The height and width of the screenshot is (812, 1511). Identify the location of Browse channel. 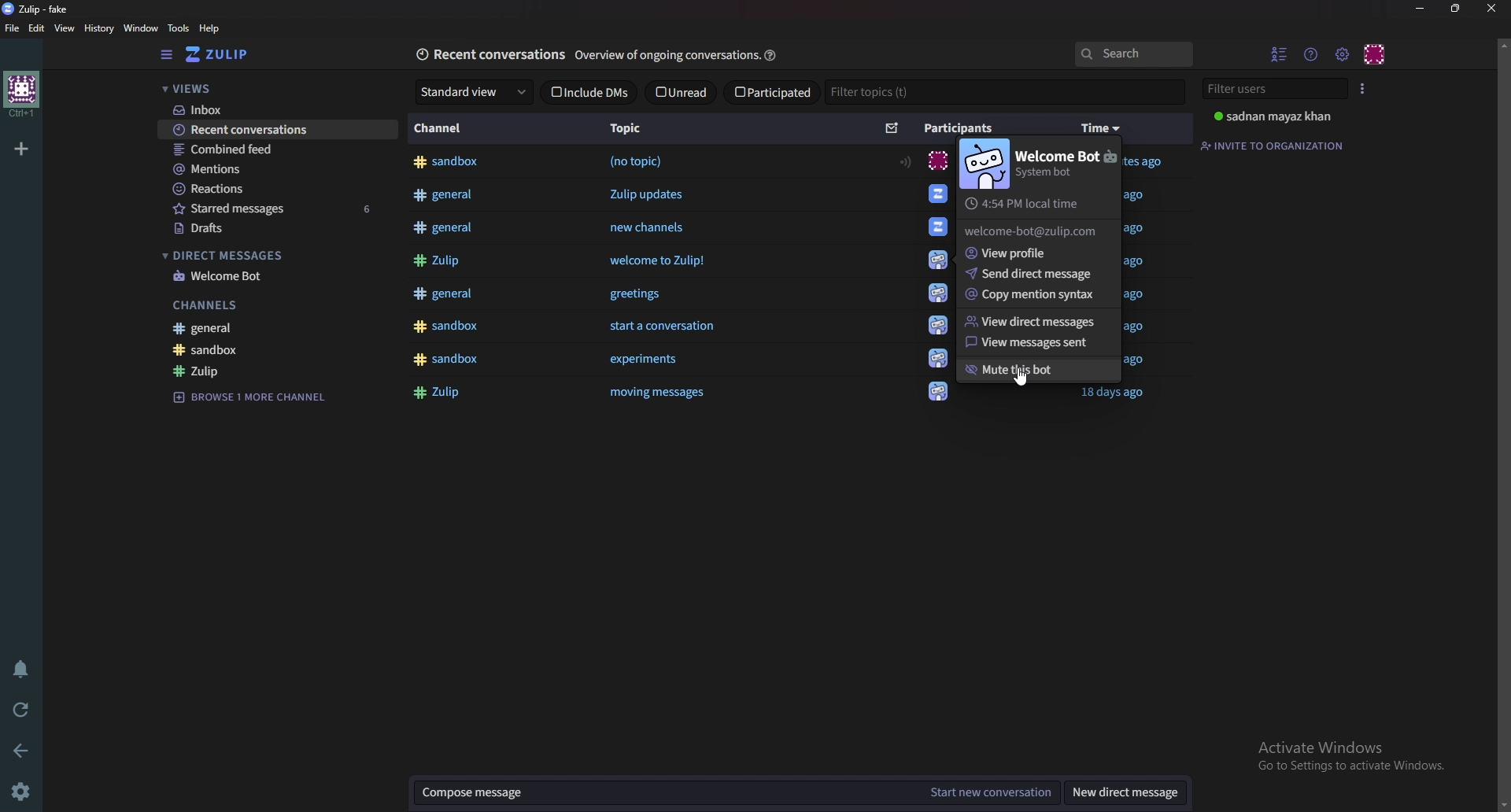
(255, 397).